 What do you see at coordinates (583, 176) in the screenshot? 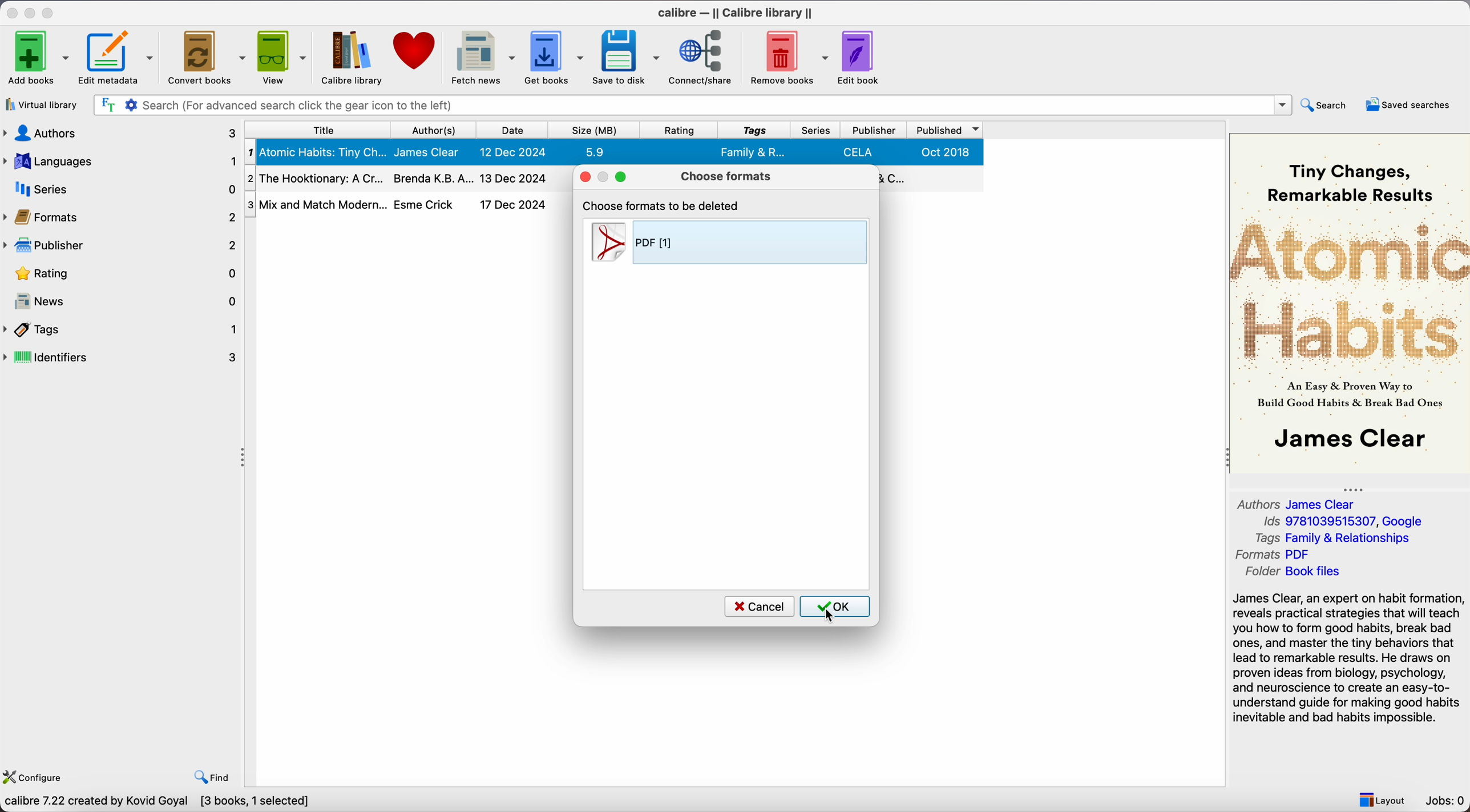
I see `close` at bounding box center [583, 176].